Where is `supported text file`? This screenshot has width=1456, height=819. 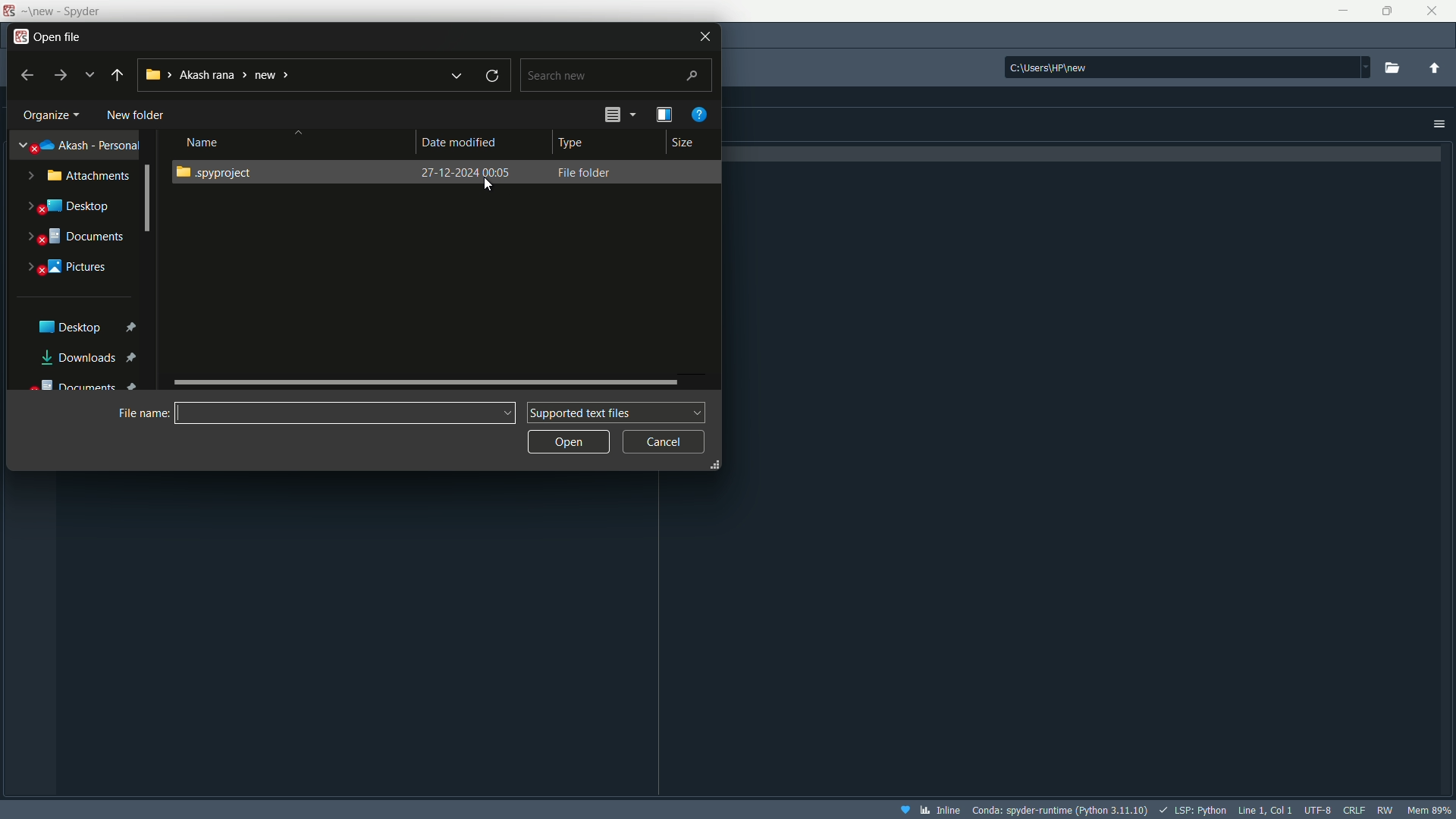 supported text file is located at coordinates (614, 411).